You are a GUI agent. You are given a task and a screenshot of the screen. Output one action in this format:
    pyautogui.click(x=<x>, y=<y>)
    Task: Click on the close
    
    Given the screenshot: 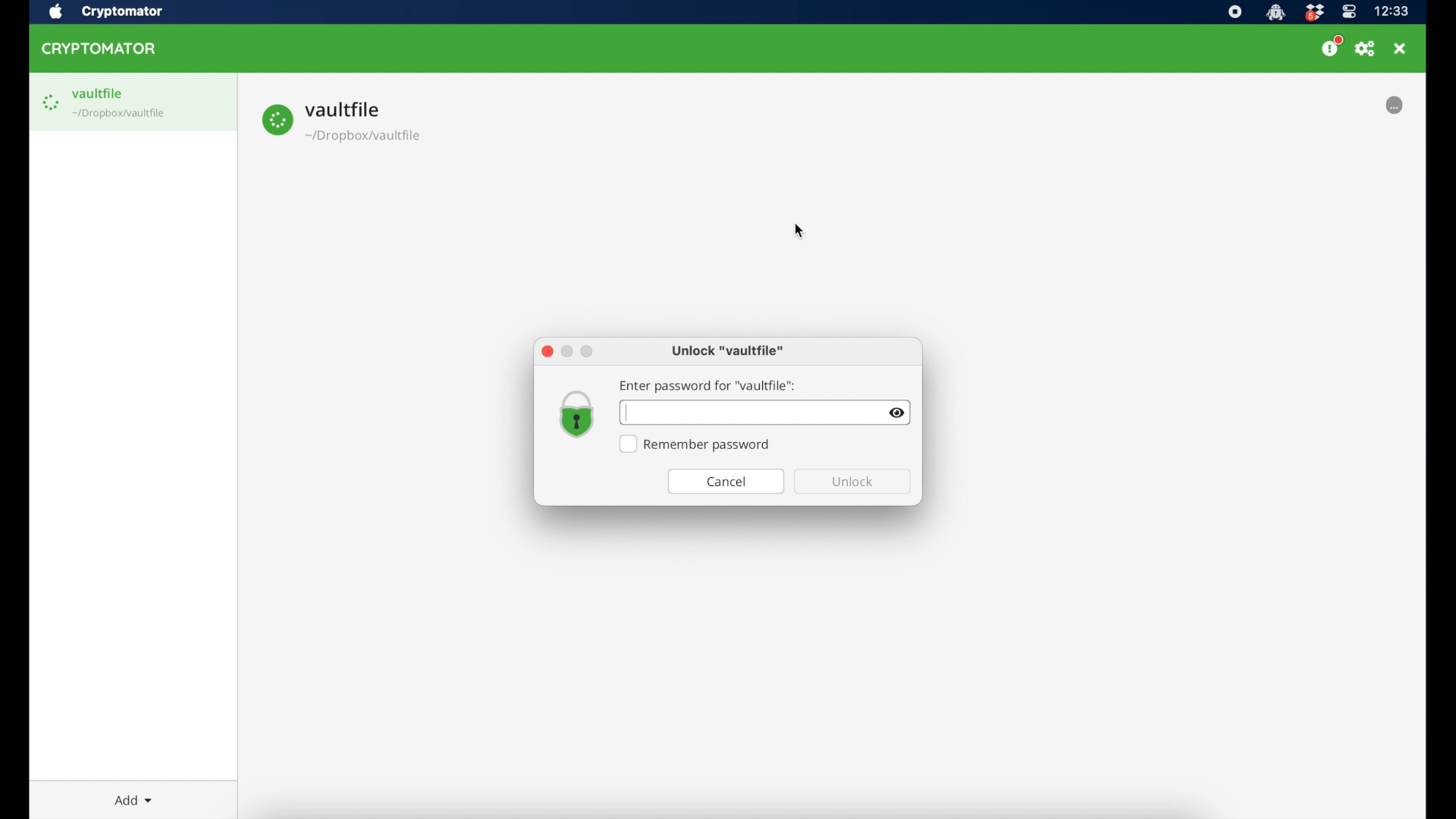 What is the action you would take?
    pyautogui.click(x=546, y=353)
    